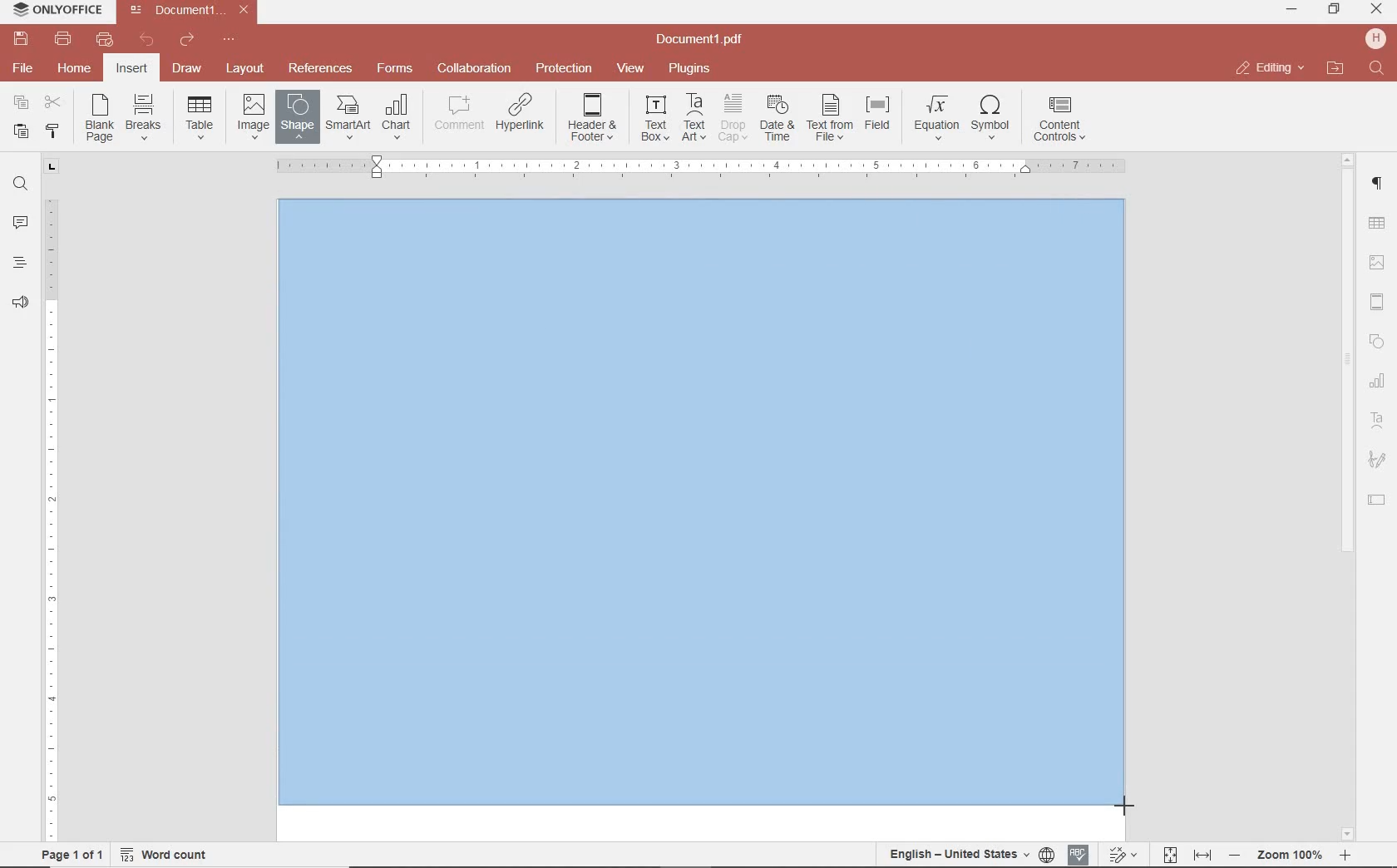 The width and height of the screenshot is (1397, 868). Describe the element at coordinates (1335, 69) in the screenshot. I see `open file location` at that location.